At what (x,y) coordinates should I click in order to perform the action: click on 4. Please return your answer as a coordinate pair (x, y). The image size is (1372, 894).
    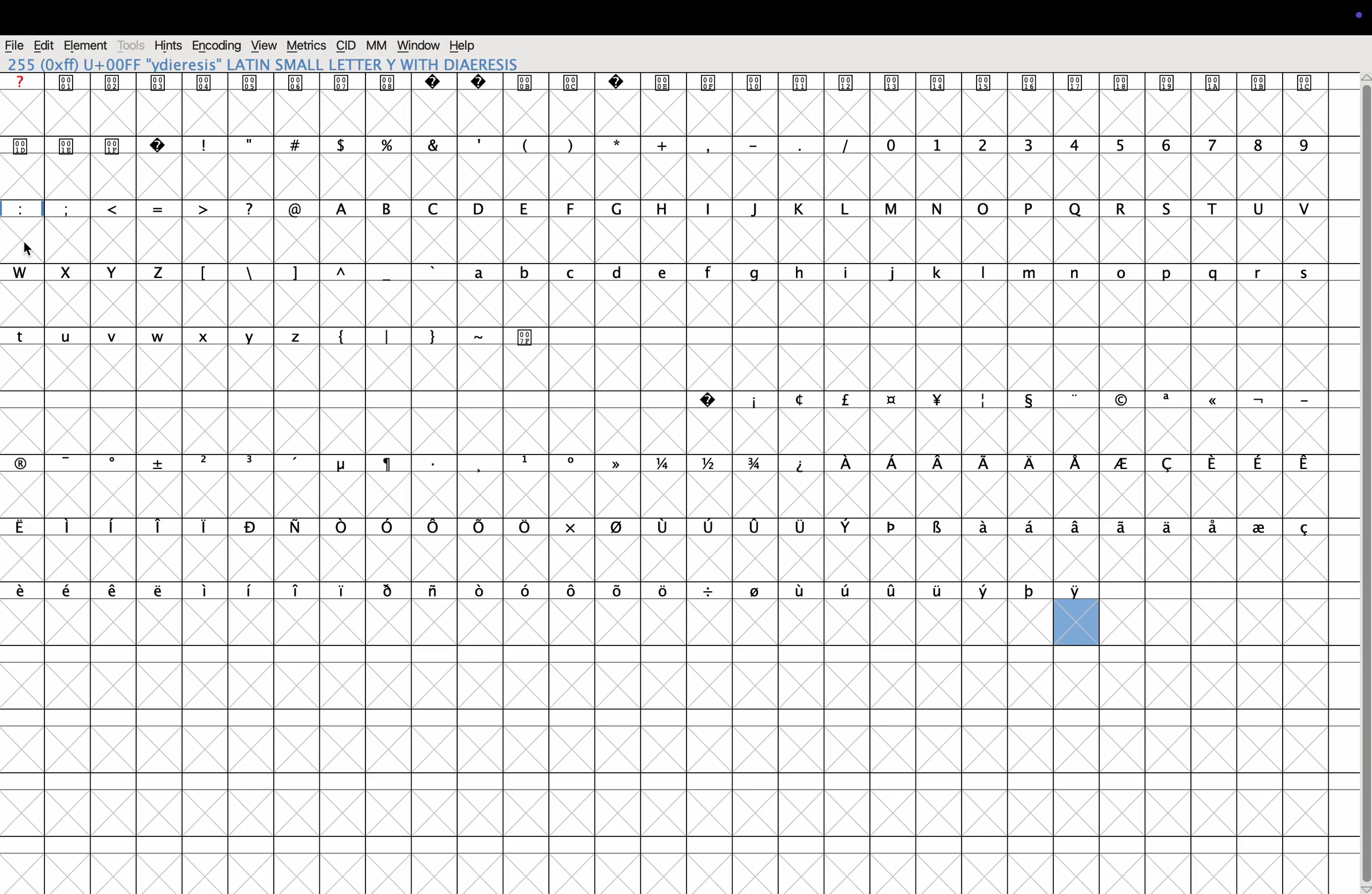
    Looking at the image, I should click on (1073, 166).